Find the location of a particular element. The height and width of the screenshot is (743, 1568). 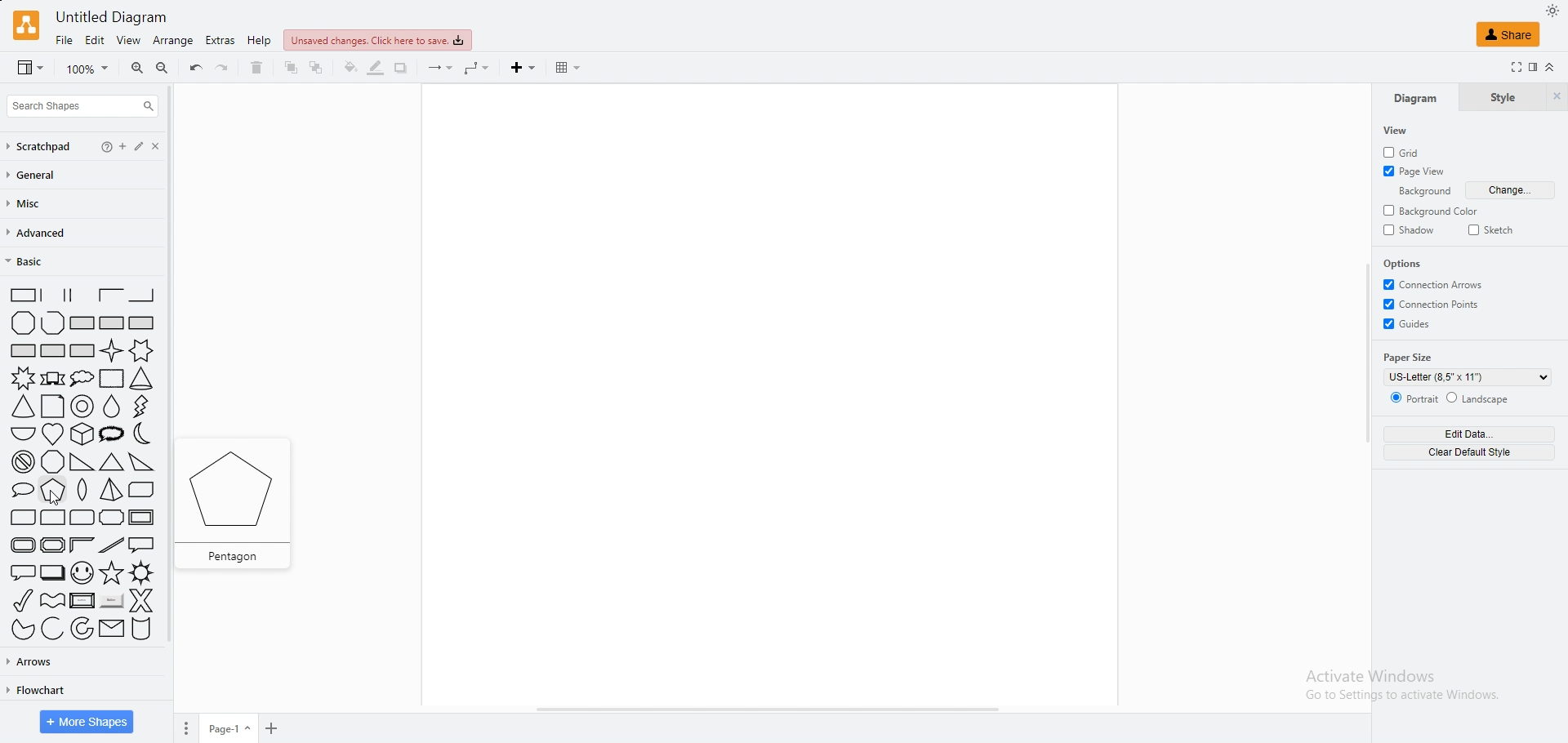

edit data is located at coordinates (1468, 434).